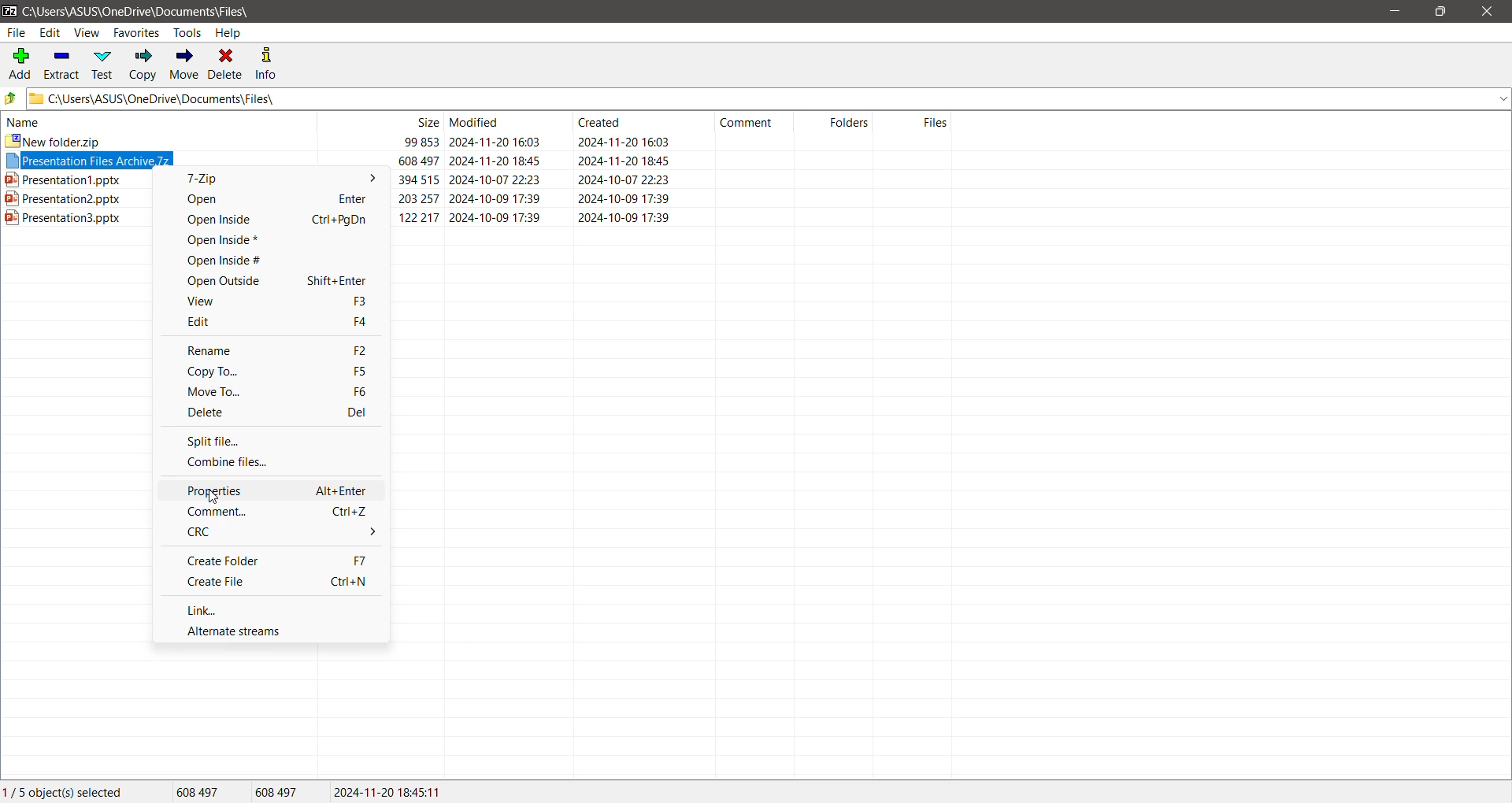 The image size is (1512, 803). Describe the element at coordinates (217, 496) in the screenshot. I see `cursor` at that location.